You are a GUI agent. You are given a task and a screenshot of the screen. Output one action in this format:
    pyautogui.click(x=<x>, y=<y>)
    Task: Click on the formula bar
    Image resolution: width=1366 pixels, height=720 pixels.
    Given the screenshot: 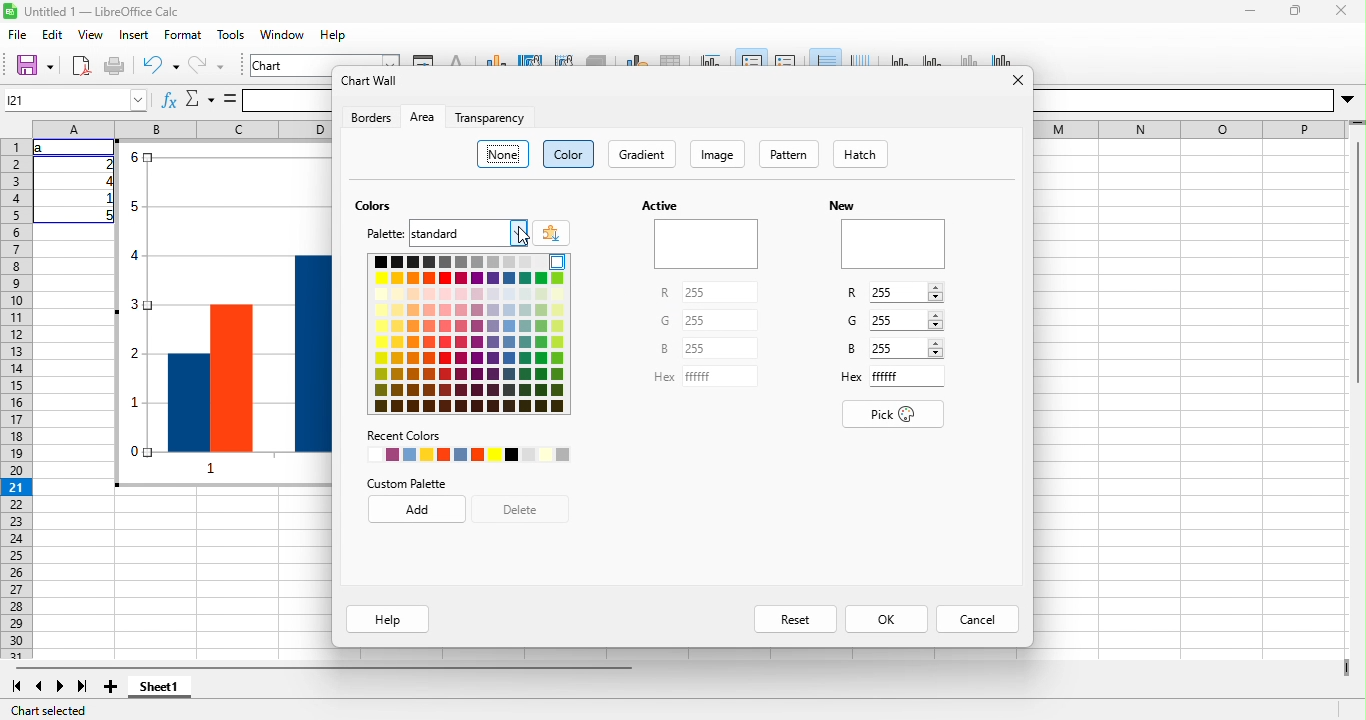 What is the action you would take?
    pyautogui.click(x=287, y=101)
    